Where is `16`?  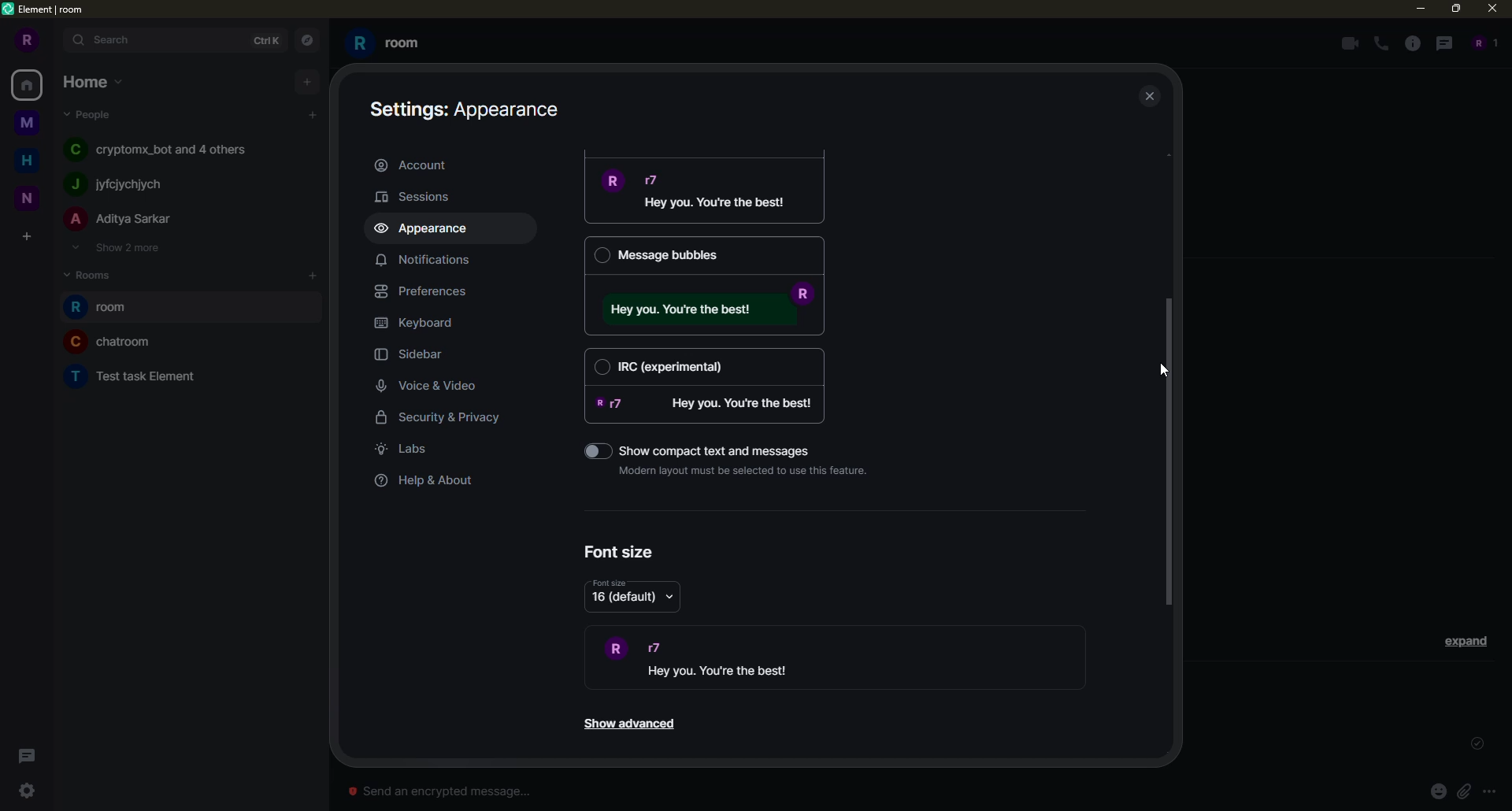 16 is located at coordinates (623, 598).